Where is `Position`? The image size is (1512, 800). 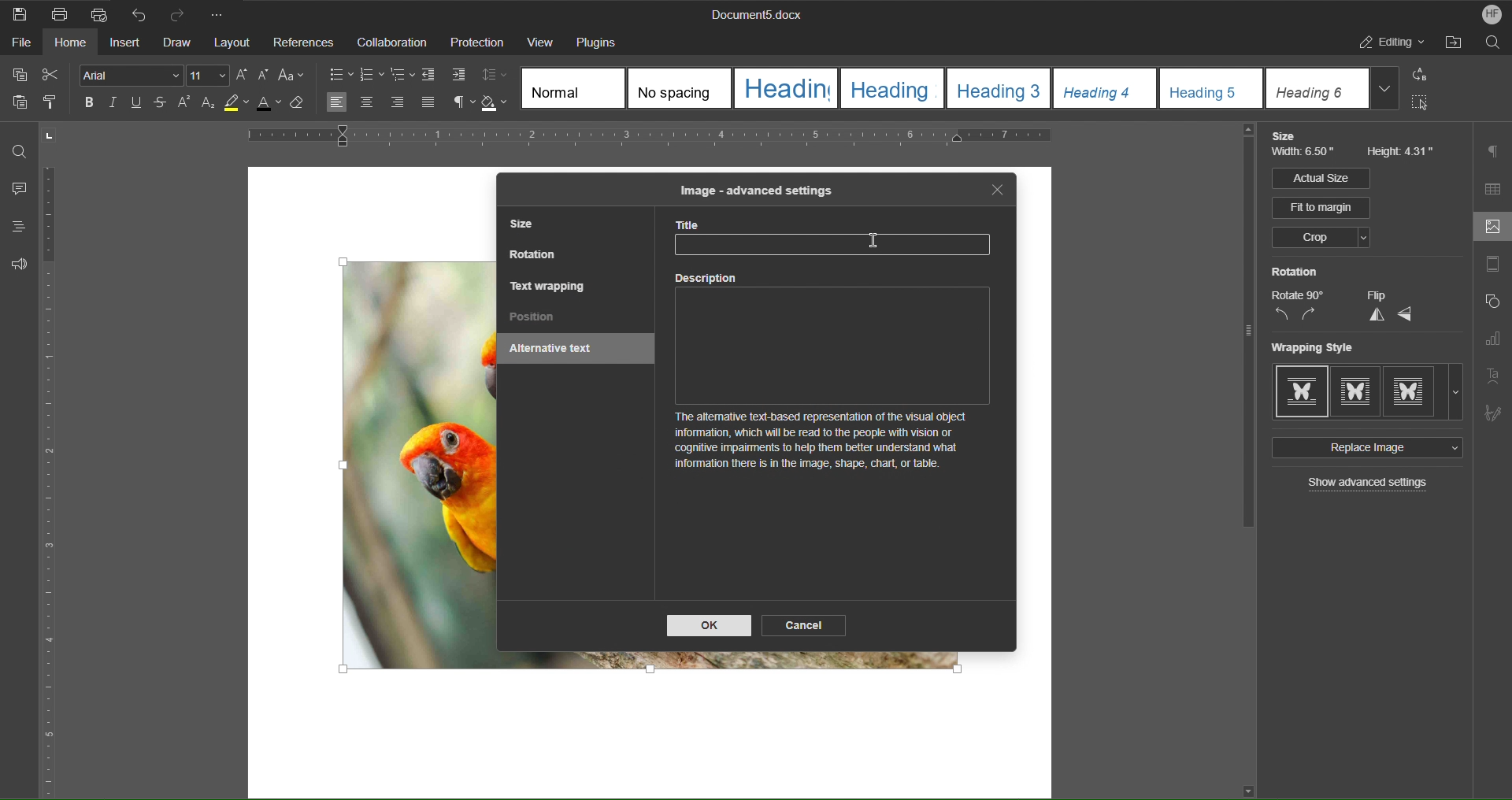
Position is located at coordinates (533, 318).